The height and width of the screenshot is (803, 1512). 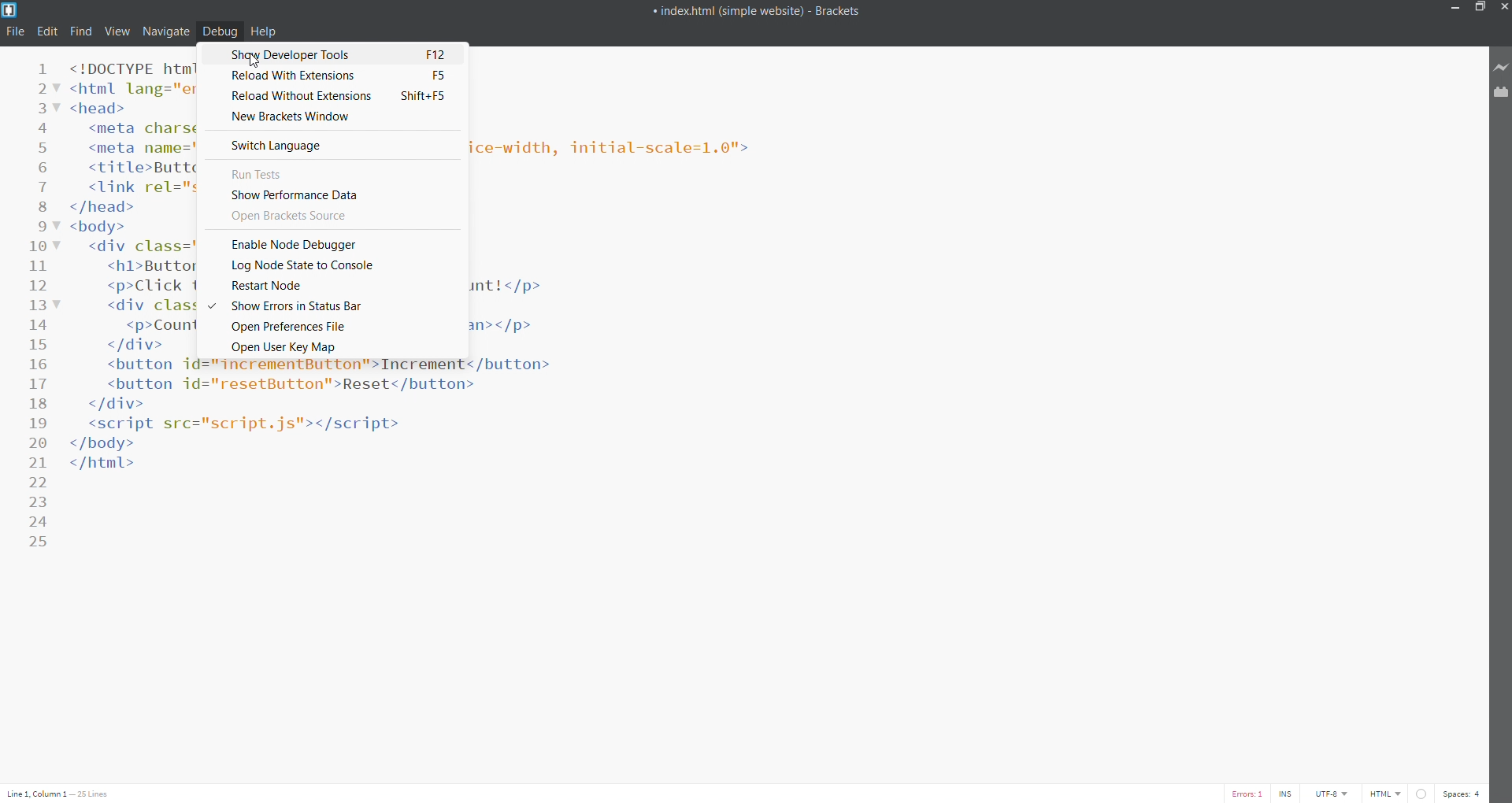 What do you see at coordinates (710, 9) in the screenshot?
I see `title bar` at bounding box center [710, 9].